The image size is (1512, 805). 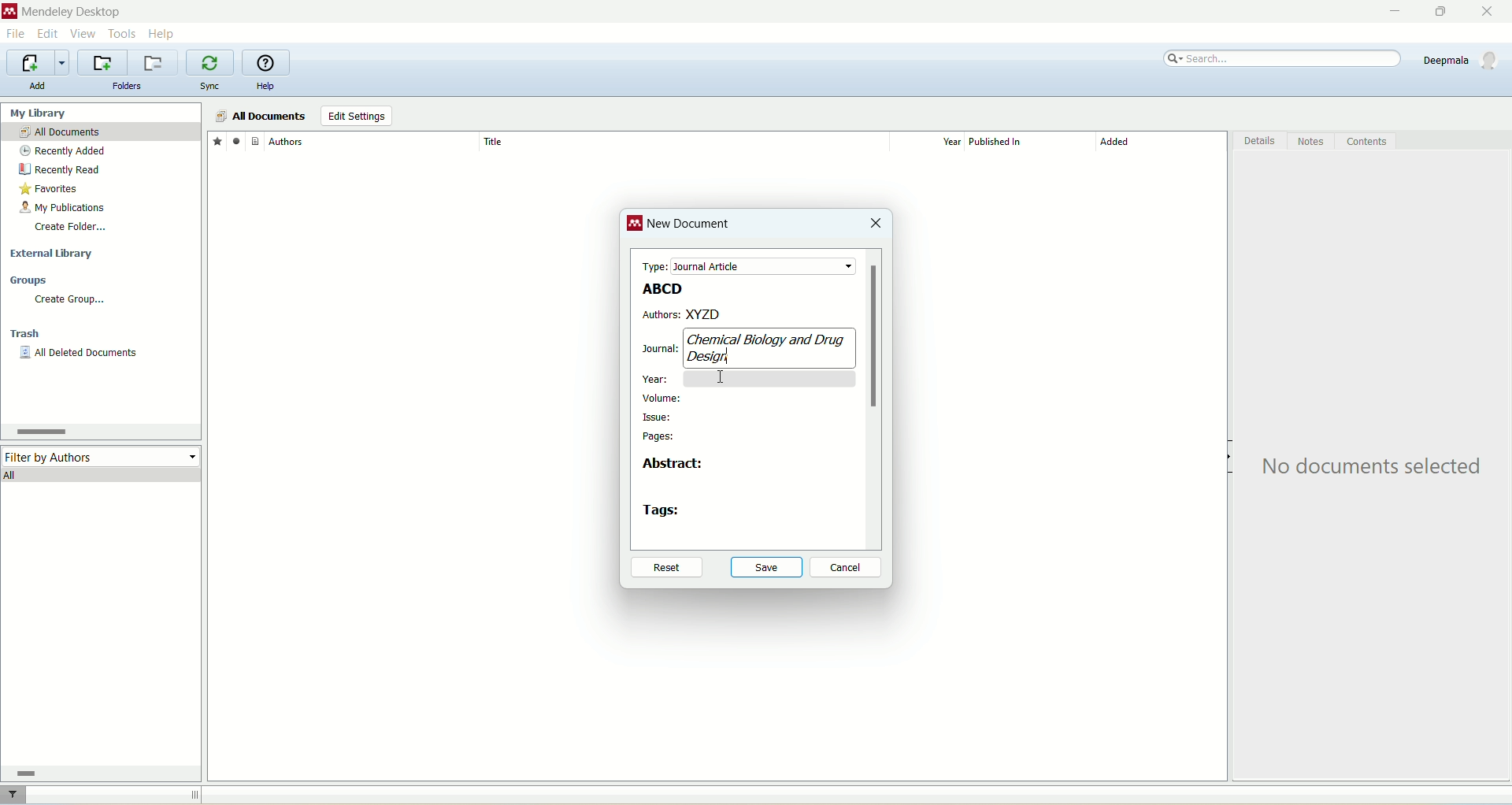 I want to click on minimize, so click(x=1392, y=12).